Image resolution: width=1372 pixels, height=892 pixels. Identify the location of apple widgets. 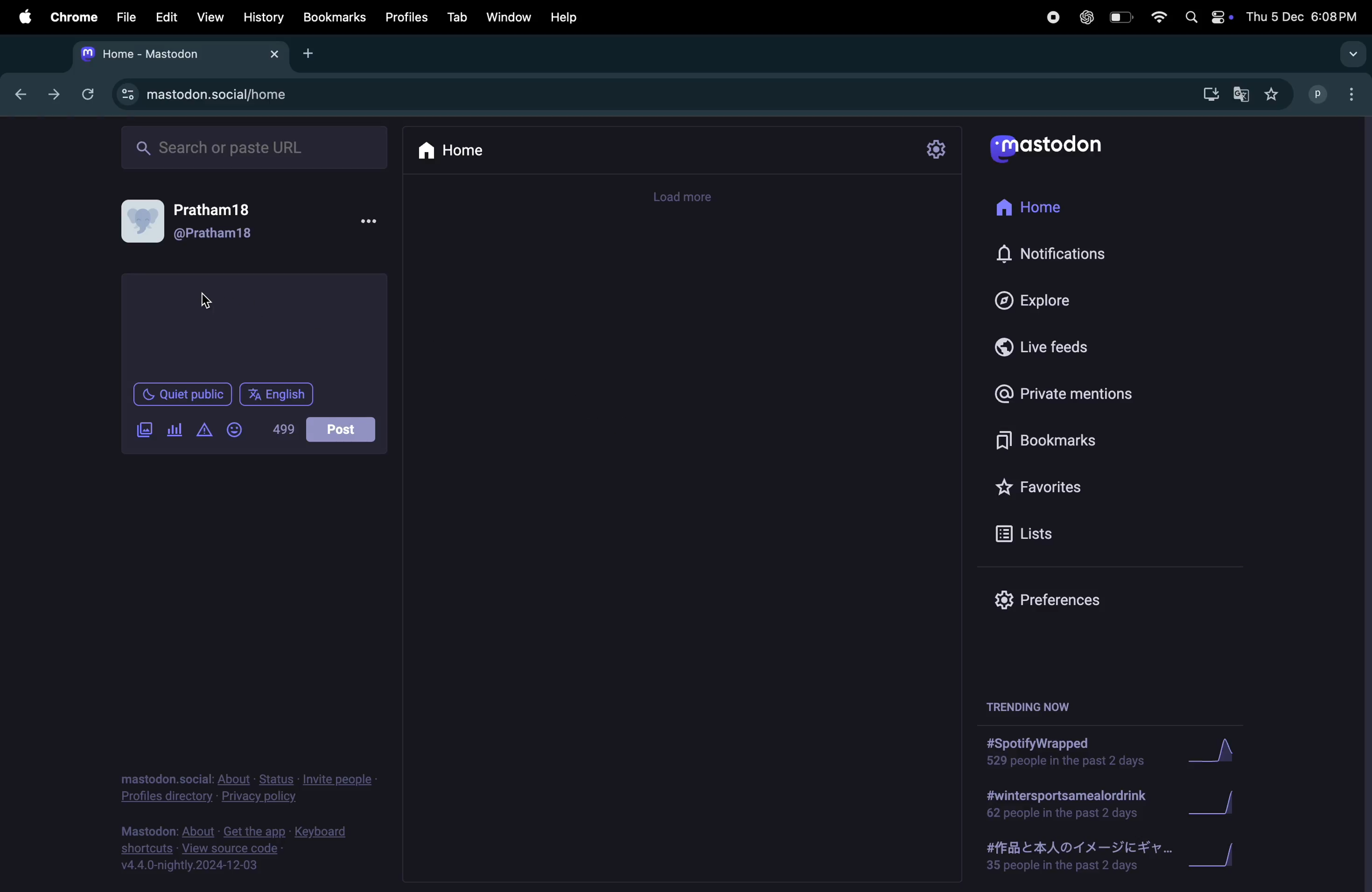
(1207, 17).